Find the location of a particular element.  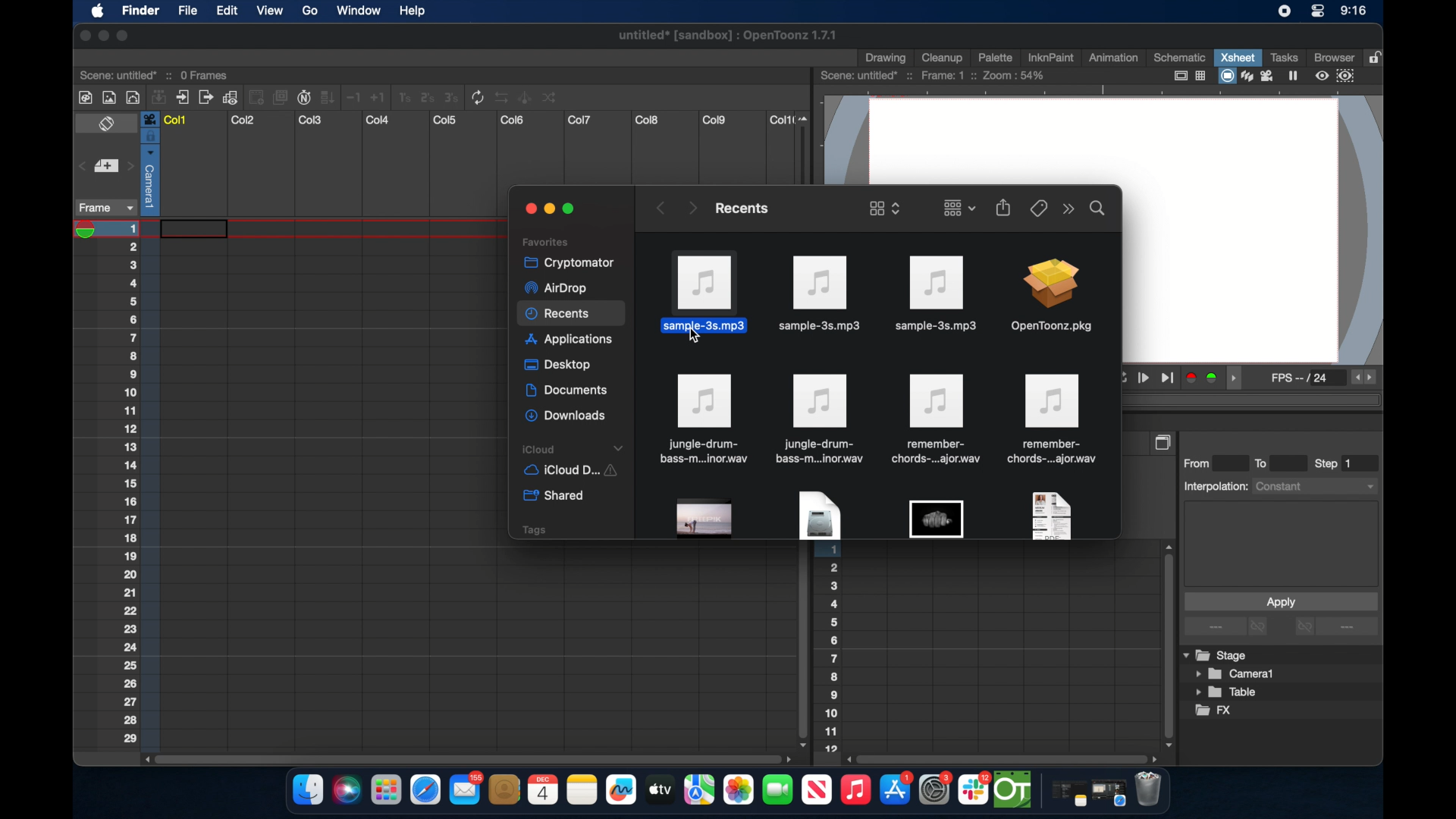

cursor is located at coordinates (695, 339).